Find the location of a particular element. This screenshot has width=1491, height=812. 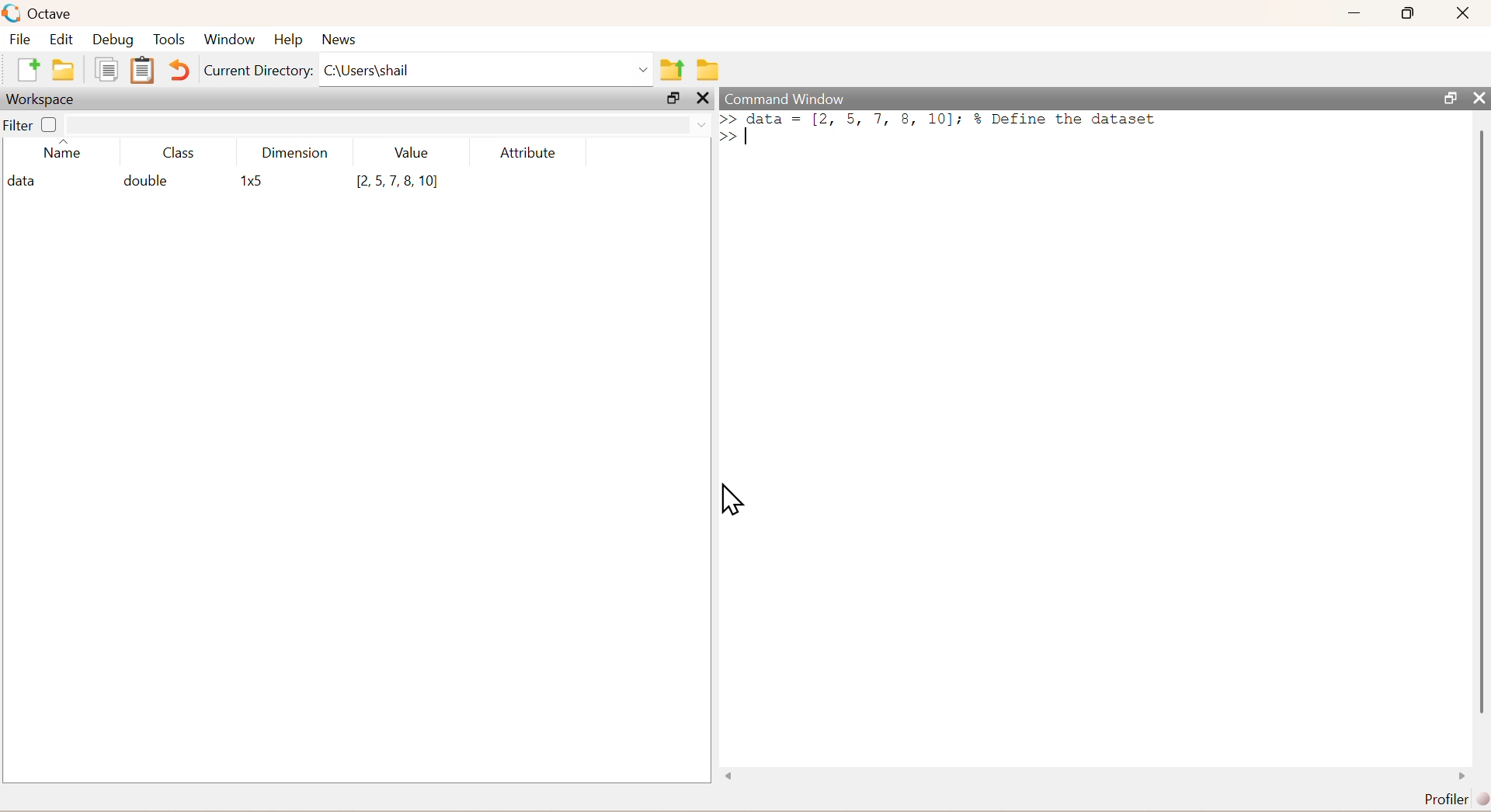

Current Directory: is located at coordinates (259, 71).